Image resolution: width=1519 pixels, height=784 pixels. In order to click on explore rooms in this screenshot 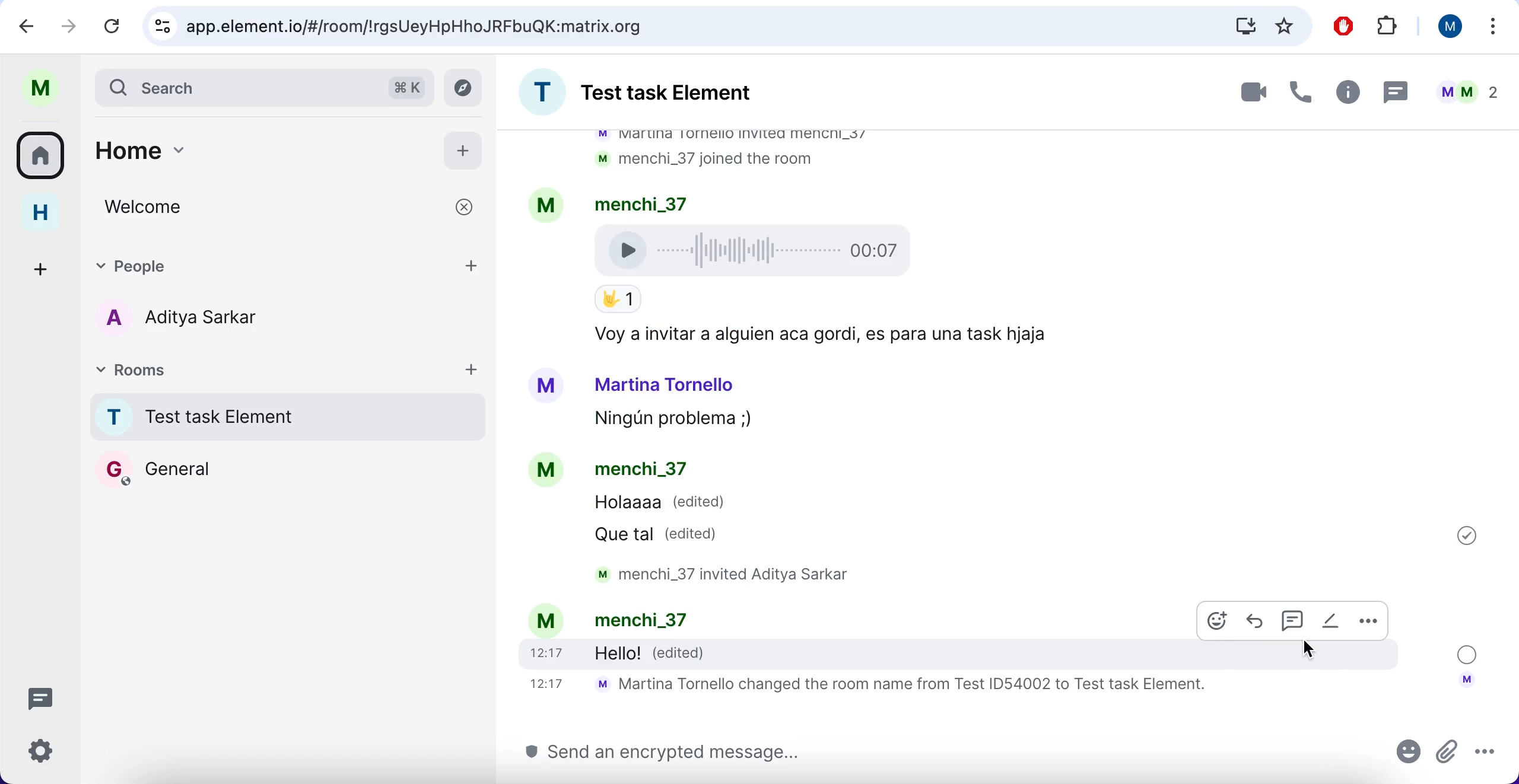, I will do `click(466, 87)`.